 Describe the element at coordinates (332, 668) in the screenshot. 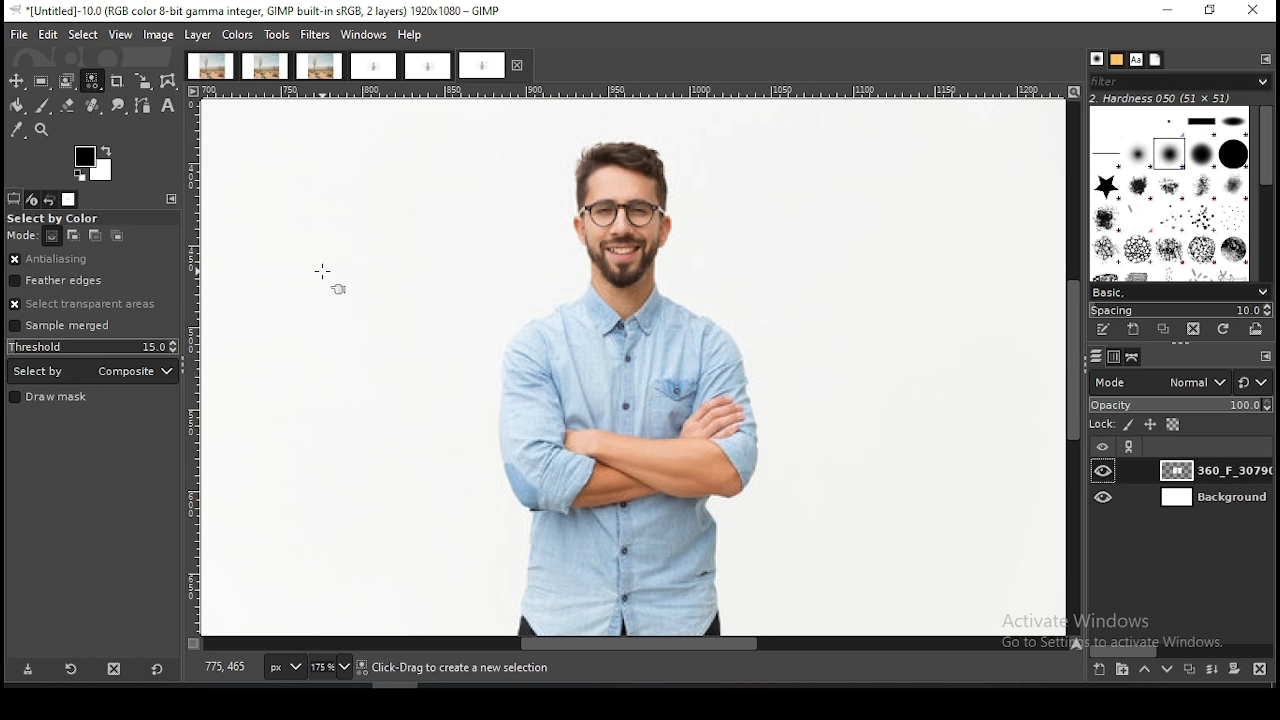

I see `zoom status` at that location.